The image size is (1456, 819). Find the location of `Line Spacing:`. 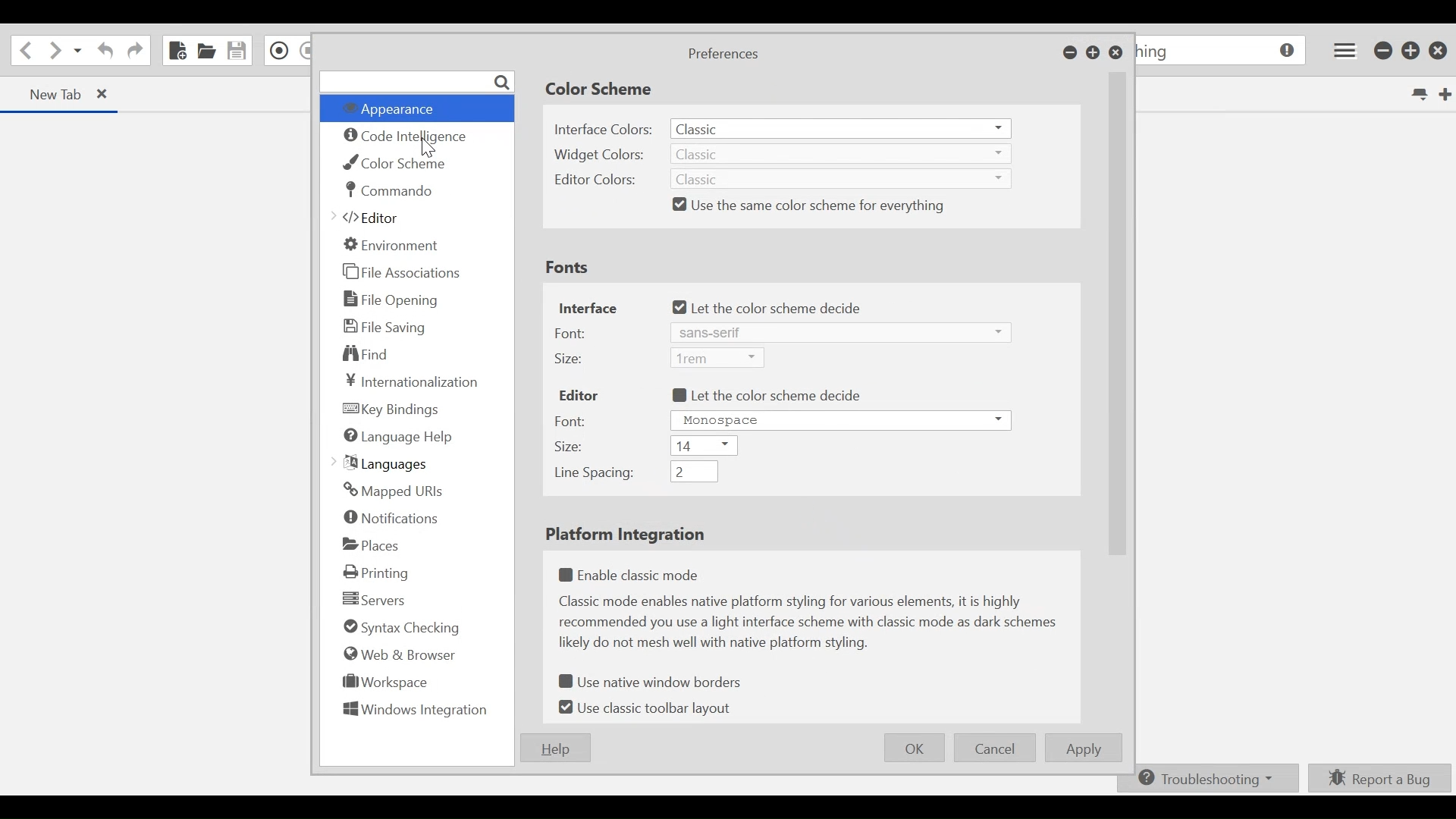

Line Spacing: is located at coordinates (590, 474).